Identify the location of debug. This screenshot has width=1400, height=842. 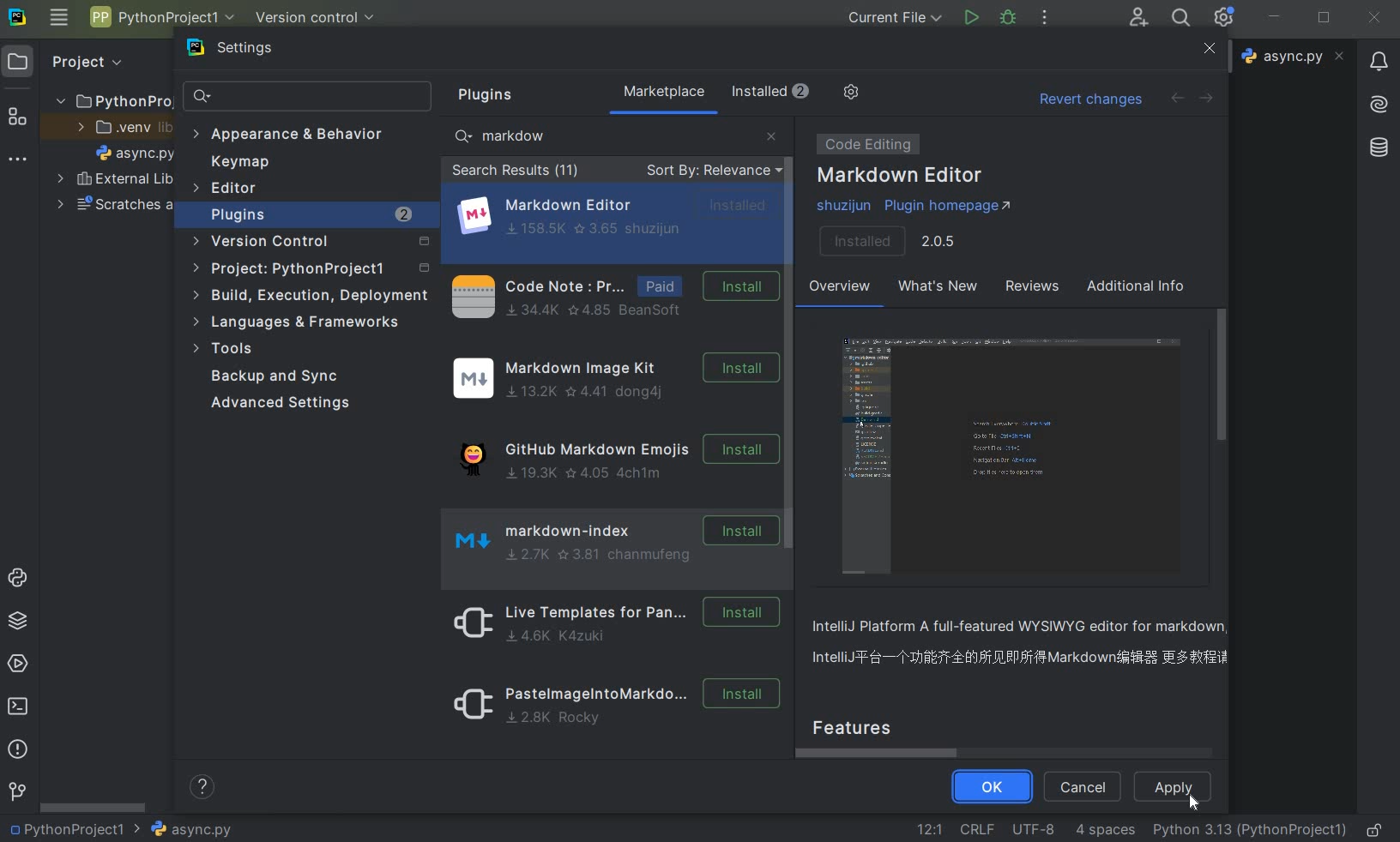
(1010, 20).